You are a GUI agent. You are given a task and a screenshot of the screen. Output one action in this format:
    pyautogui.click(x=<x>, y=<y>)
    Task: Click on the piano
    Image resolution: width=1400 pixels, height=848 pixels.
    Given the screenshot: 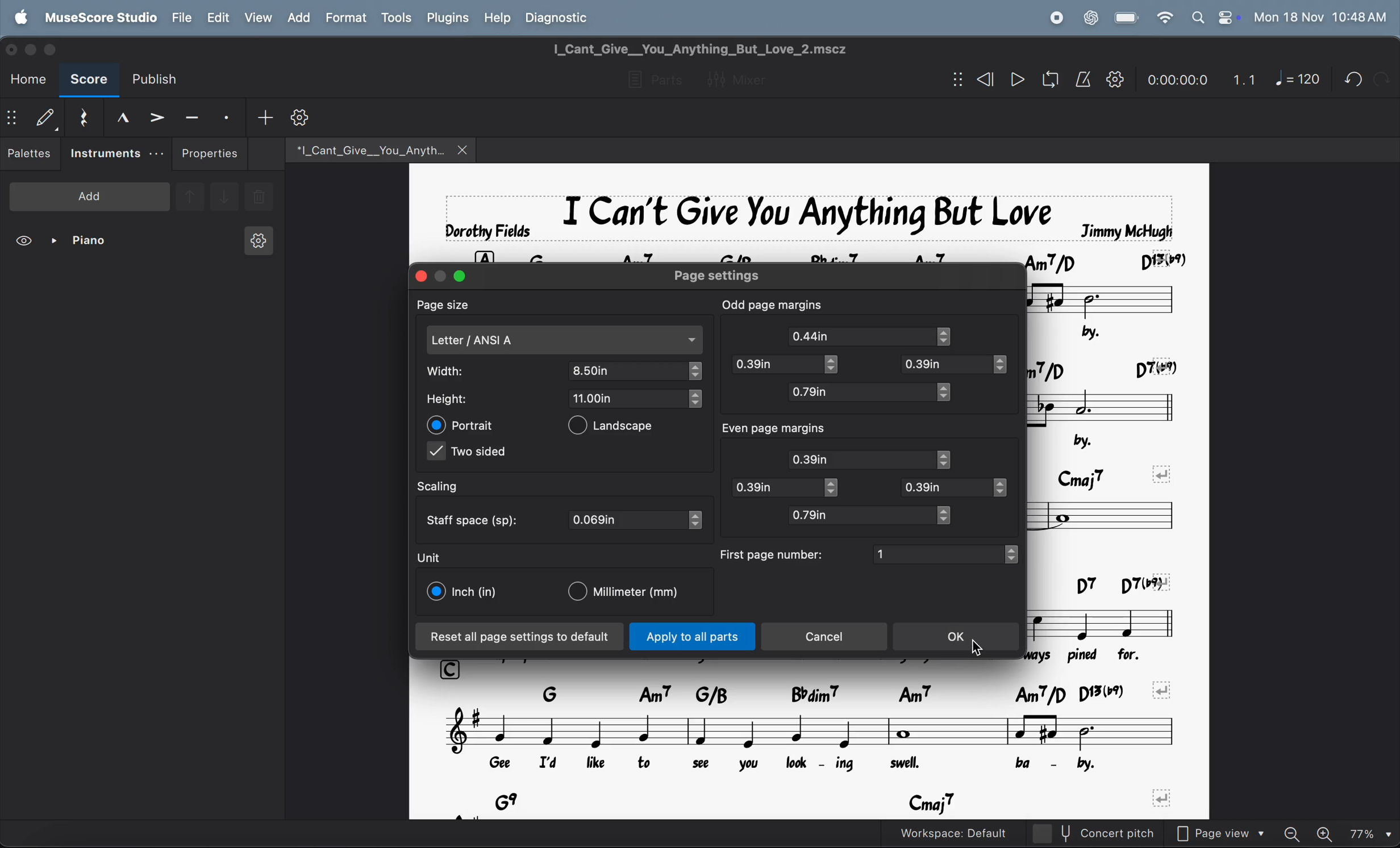 What is the action you would take?
    pyautogui.click(x=84, y=243)
    